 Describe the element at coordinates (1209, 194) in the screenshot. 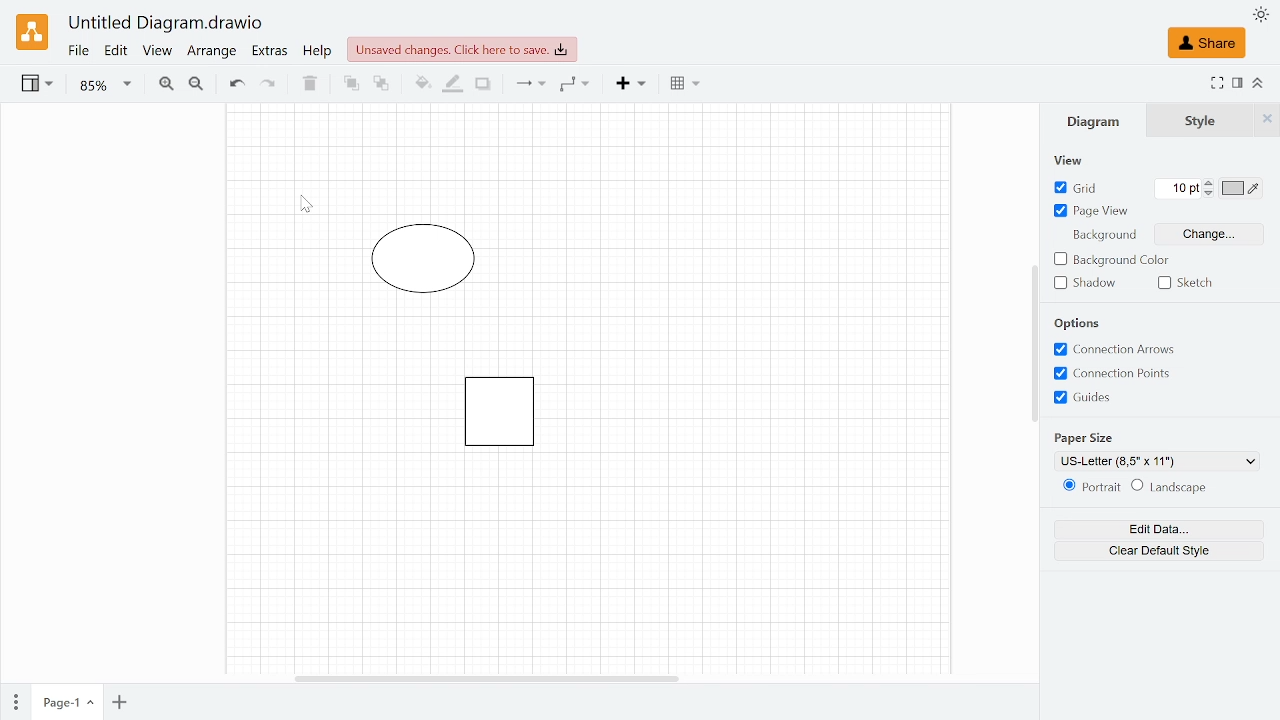

I see `Decrease grid units` at that location.